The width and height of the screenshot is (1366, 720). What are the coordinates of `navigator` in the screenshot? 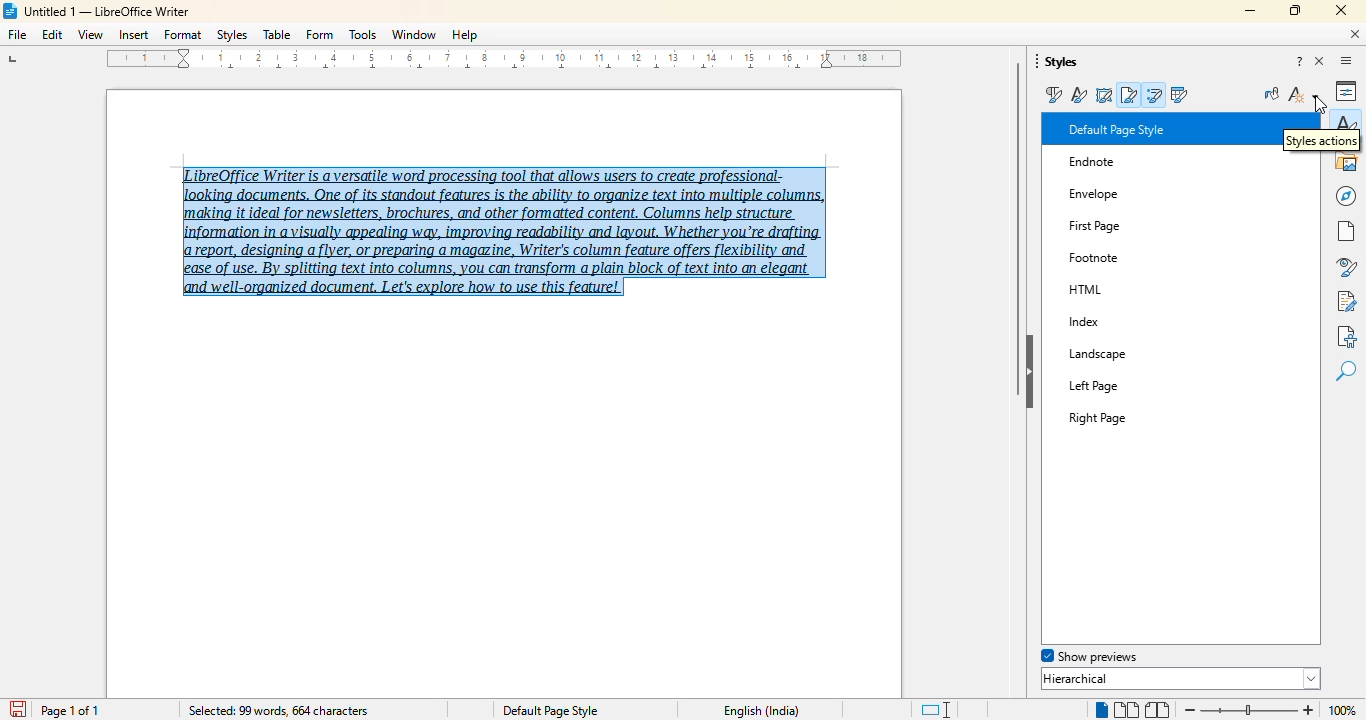 It's located at (1346, 196).